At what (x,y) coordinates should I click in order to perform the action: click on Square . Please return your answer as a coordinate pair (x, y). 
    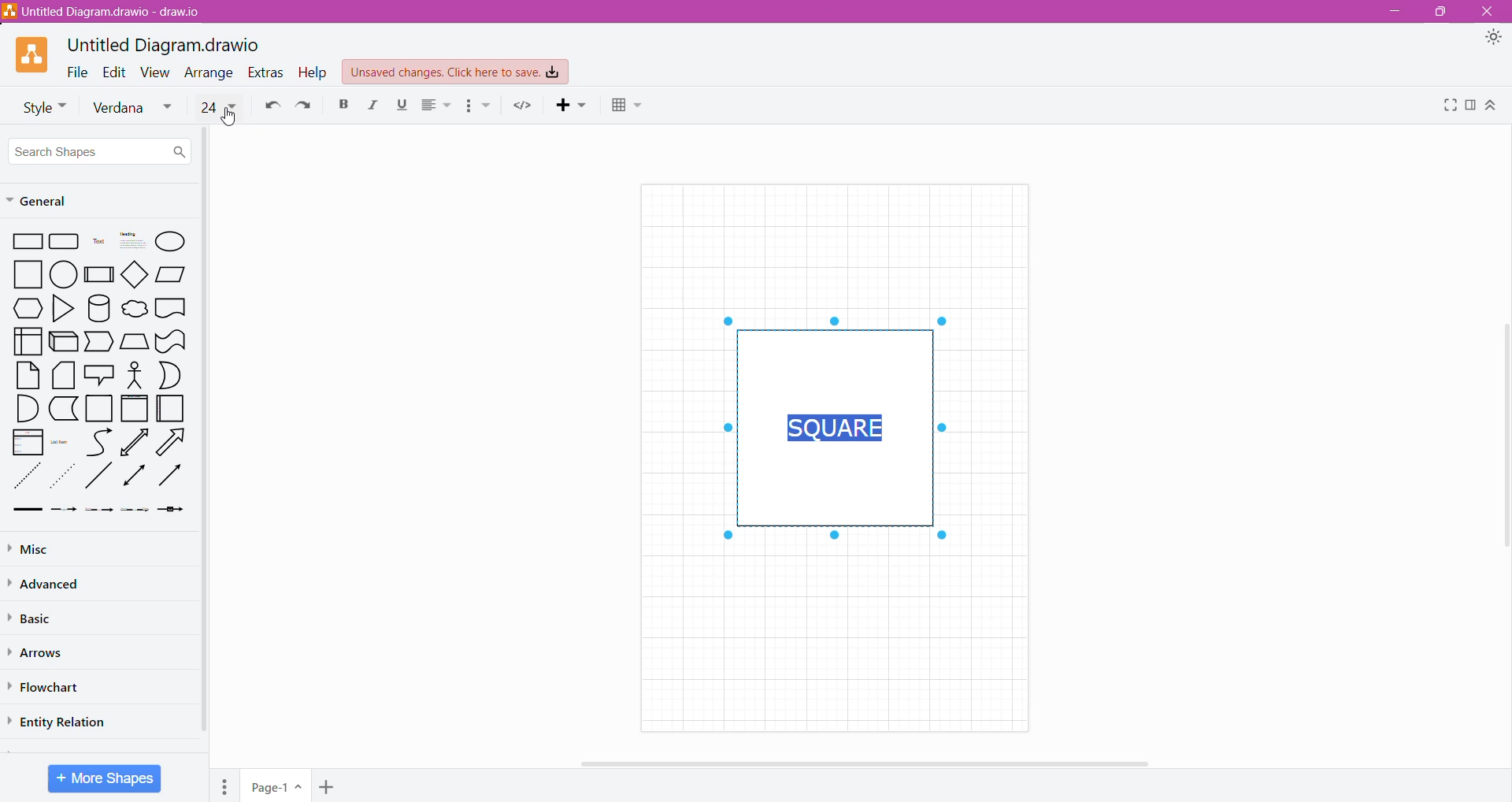
    Looking at the image, I should click on (99, 409).